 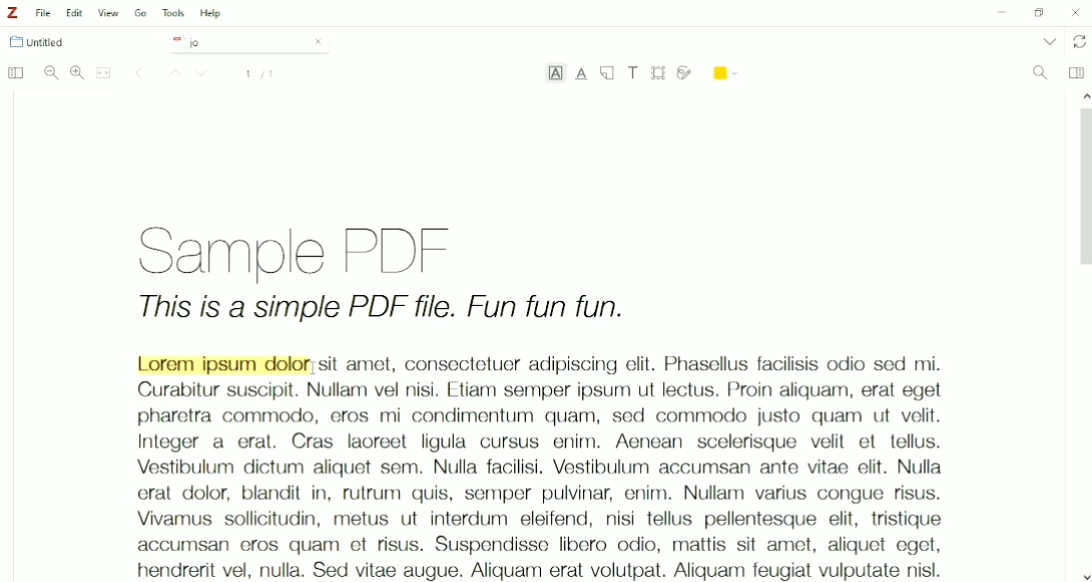 What do you see at coordinates (1038, 13) in the screenshot?
I see `Restore down` at bounding box center [1038, 13].